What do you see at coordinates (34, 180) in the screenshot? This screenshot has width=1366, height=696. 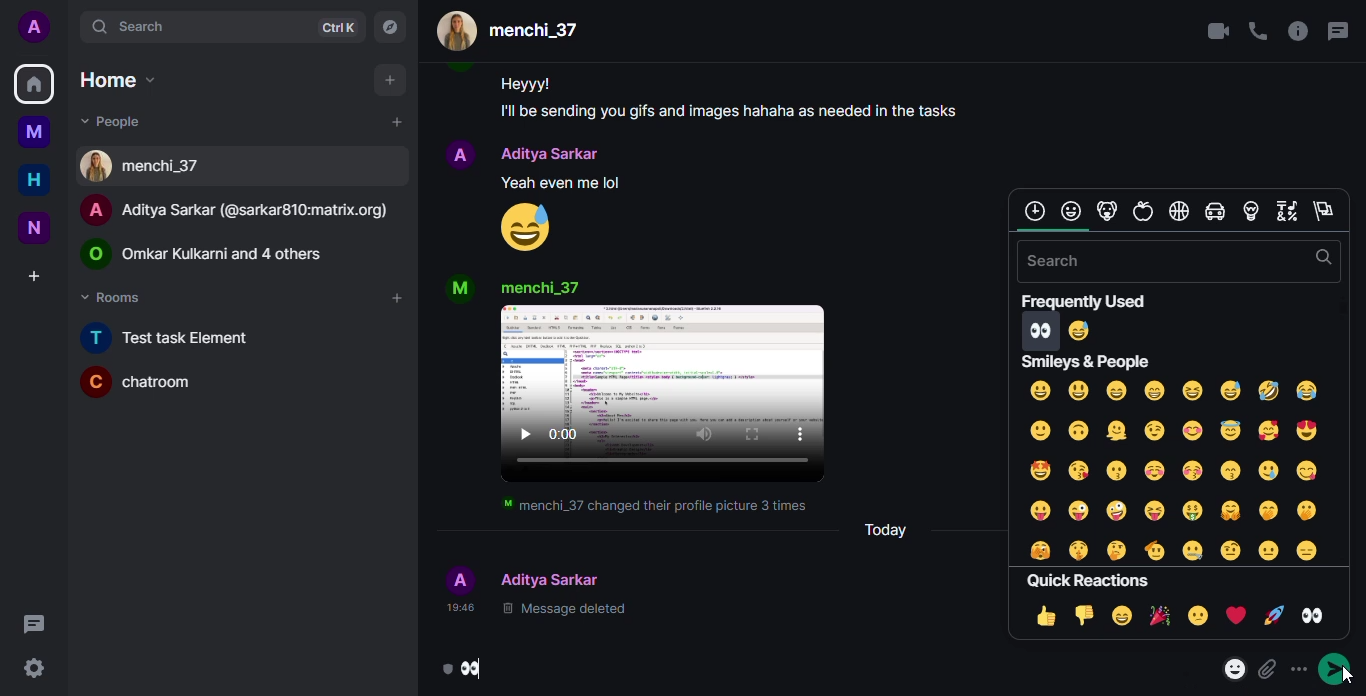 I see `home` at bounding box center [34, 180].